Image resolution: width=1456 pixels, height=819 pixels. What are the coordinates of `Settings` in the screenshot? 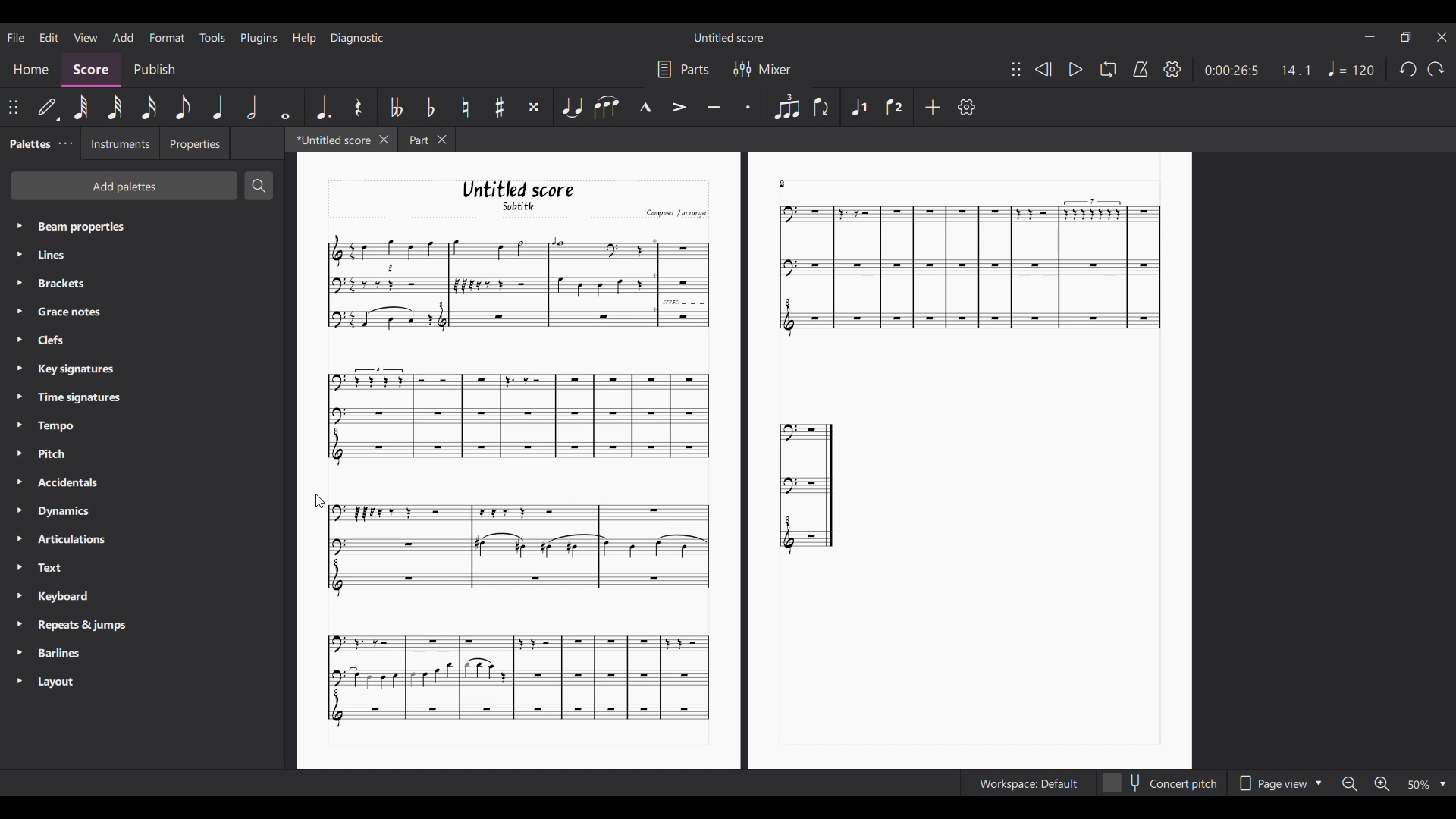 It's located at (1172, 69).